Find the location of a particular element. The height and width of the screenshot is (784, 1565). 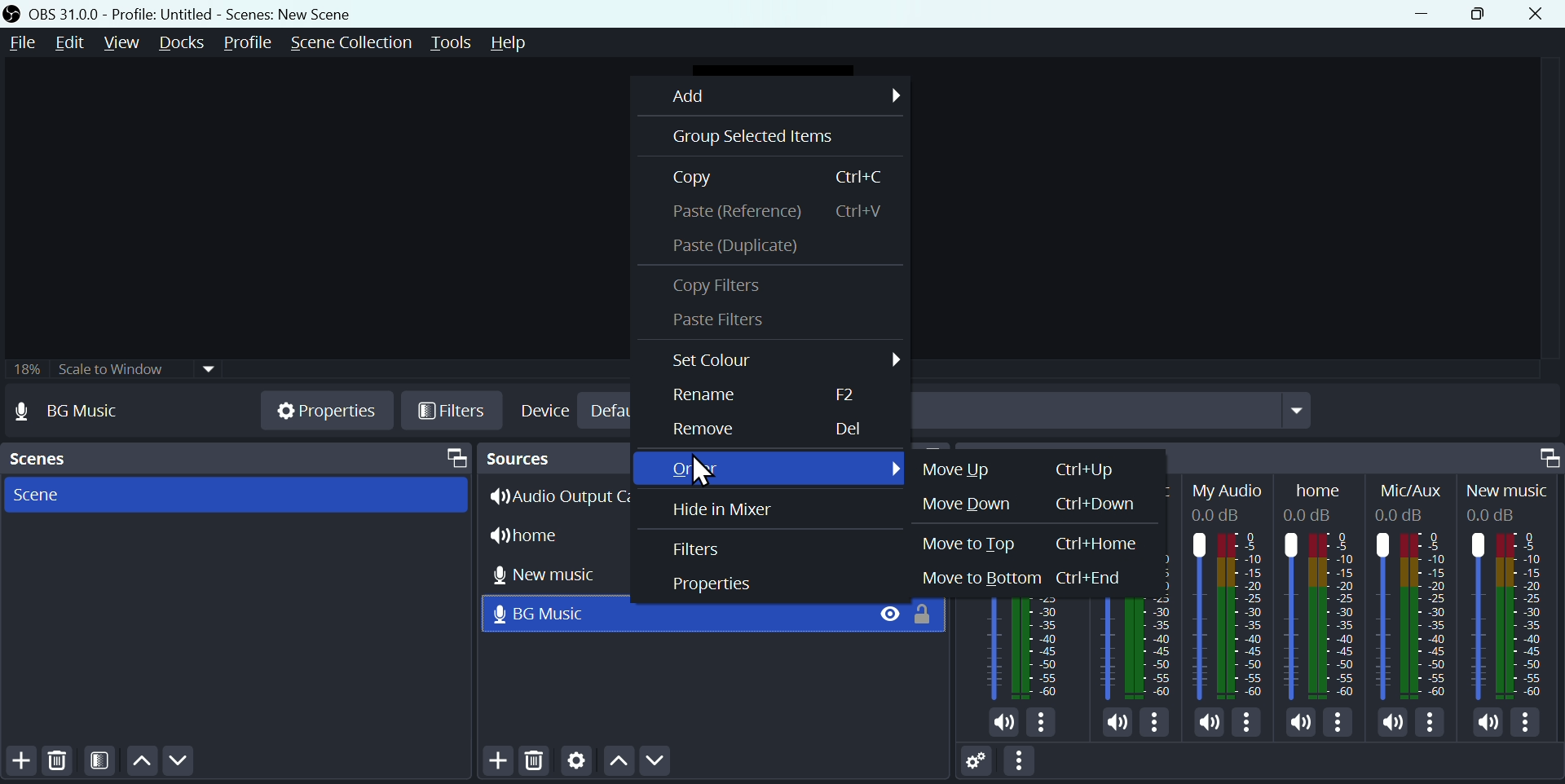

More  is located at coordinates (1028, 764).